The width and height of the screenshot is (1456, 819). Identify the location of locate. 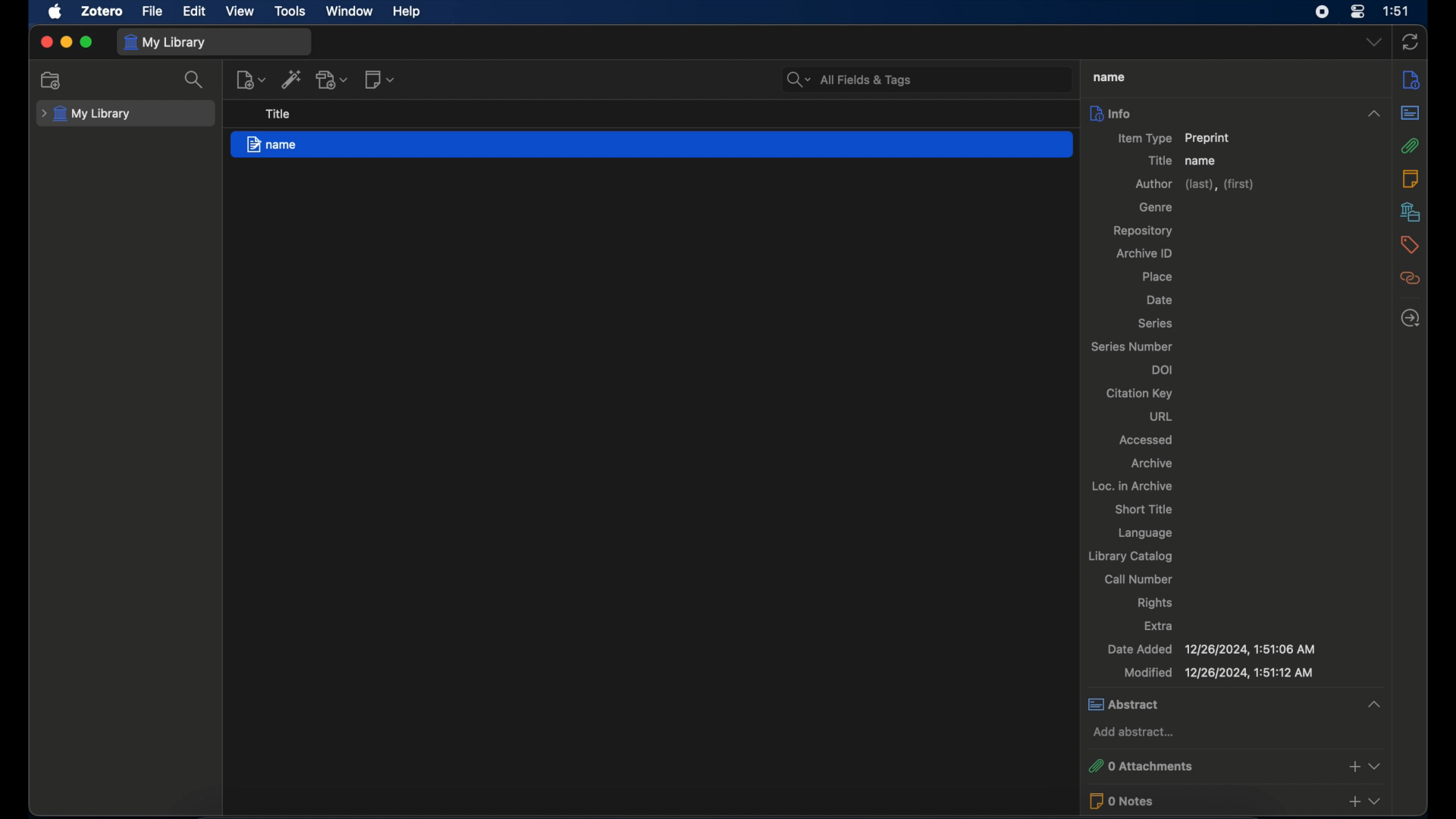
(1410, 318).